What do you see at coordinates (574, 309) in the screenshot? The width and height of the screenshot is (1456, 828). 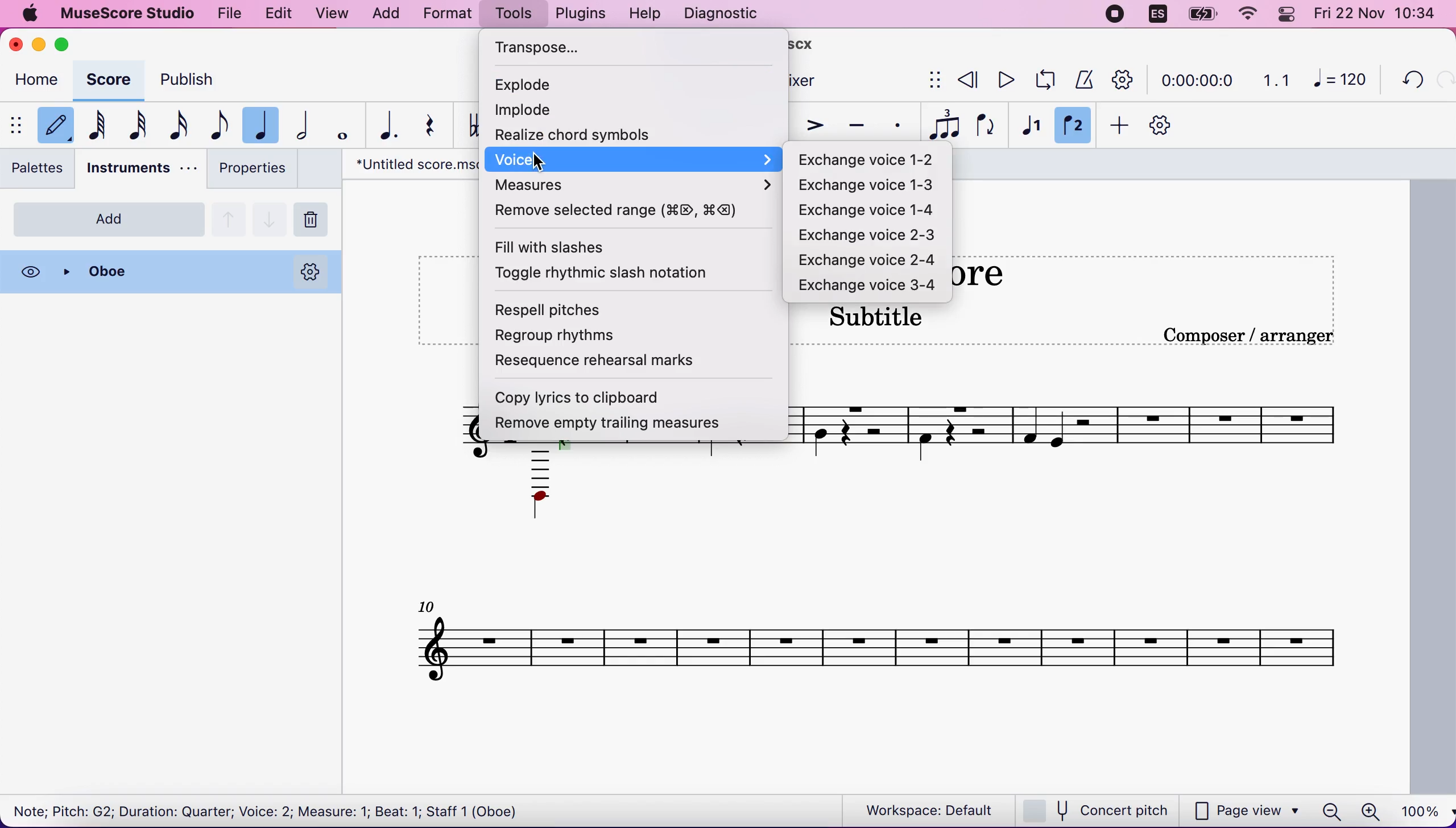 I see `respell pitches` at bounding box center [574, 309].